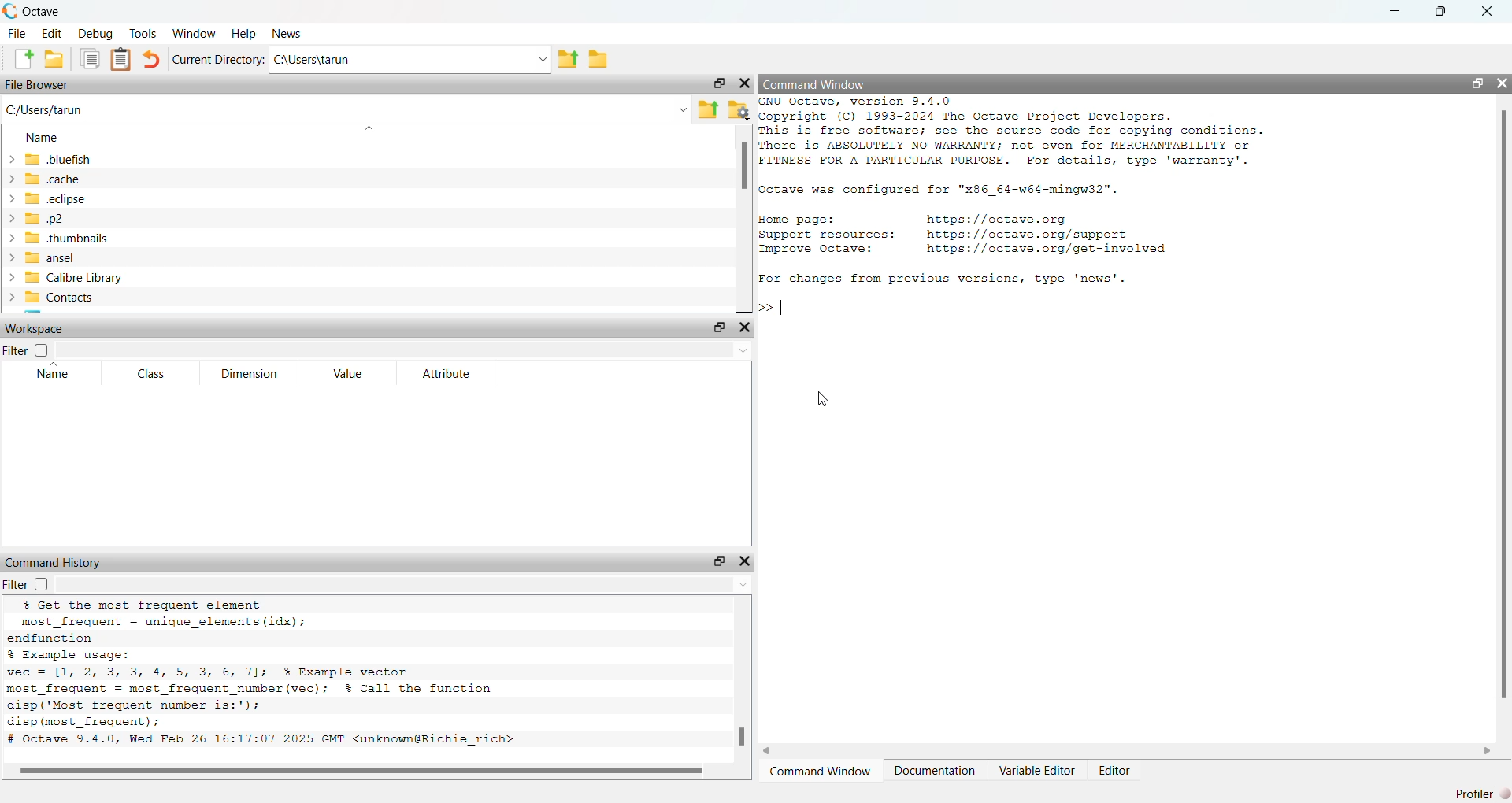 This screenshot has width=1512, height=803. I want to click on expand/collapse, so click(10, 238).